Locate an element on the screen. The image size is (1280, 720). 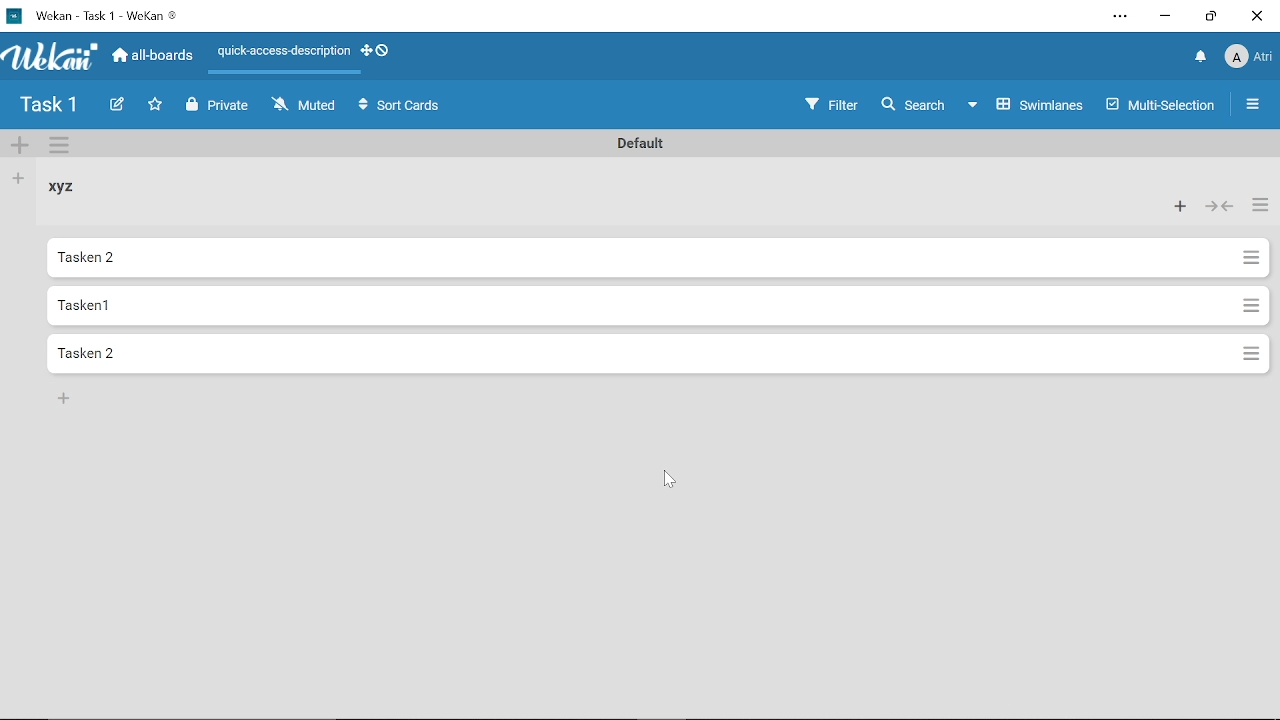
Search is located at coordinates (913, 105).